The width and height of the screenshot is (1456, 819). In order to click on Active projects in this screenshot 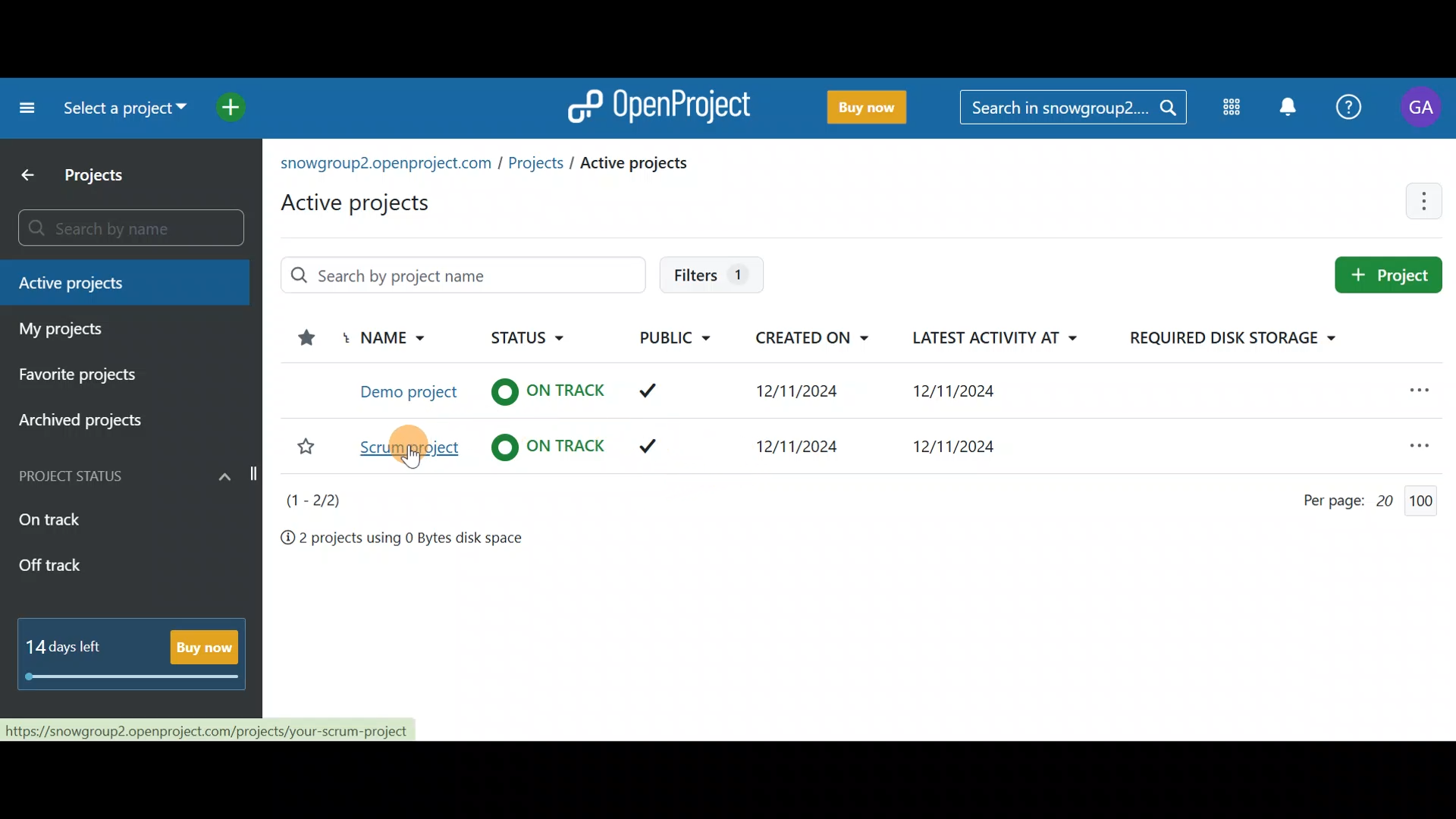, I will do `click(128, 281)`.